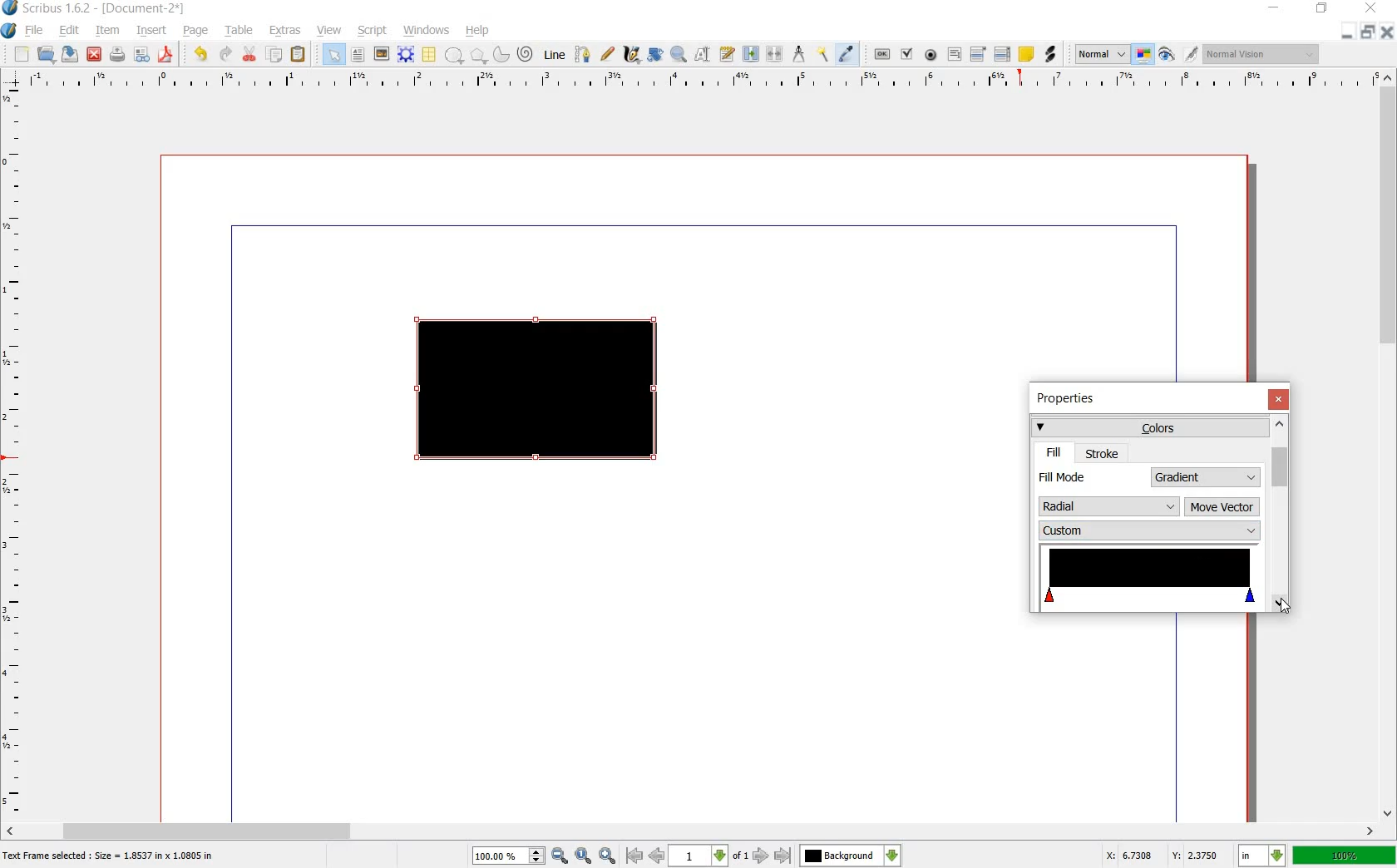 This screenshot has height=868, width=1397. What do you see at coordinates (333, 54) in the screenshot?
I see `select item` at bounding box center [333, 54].